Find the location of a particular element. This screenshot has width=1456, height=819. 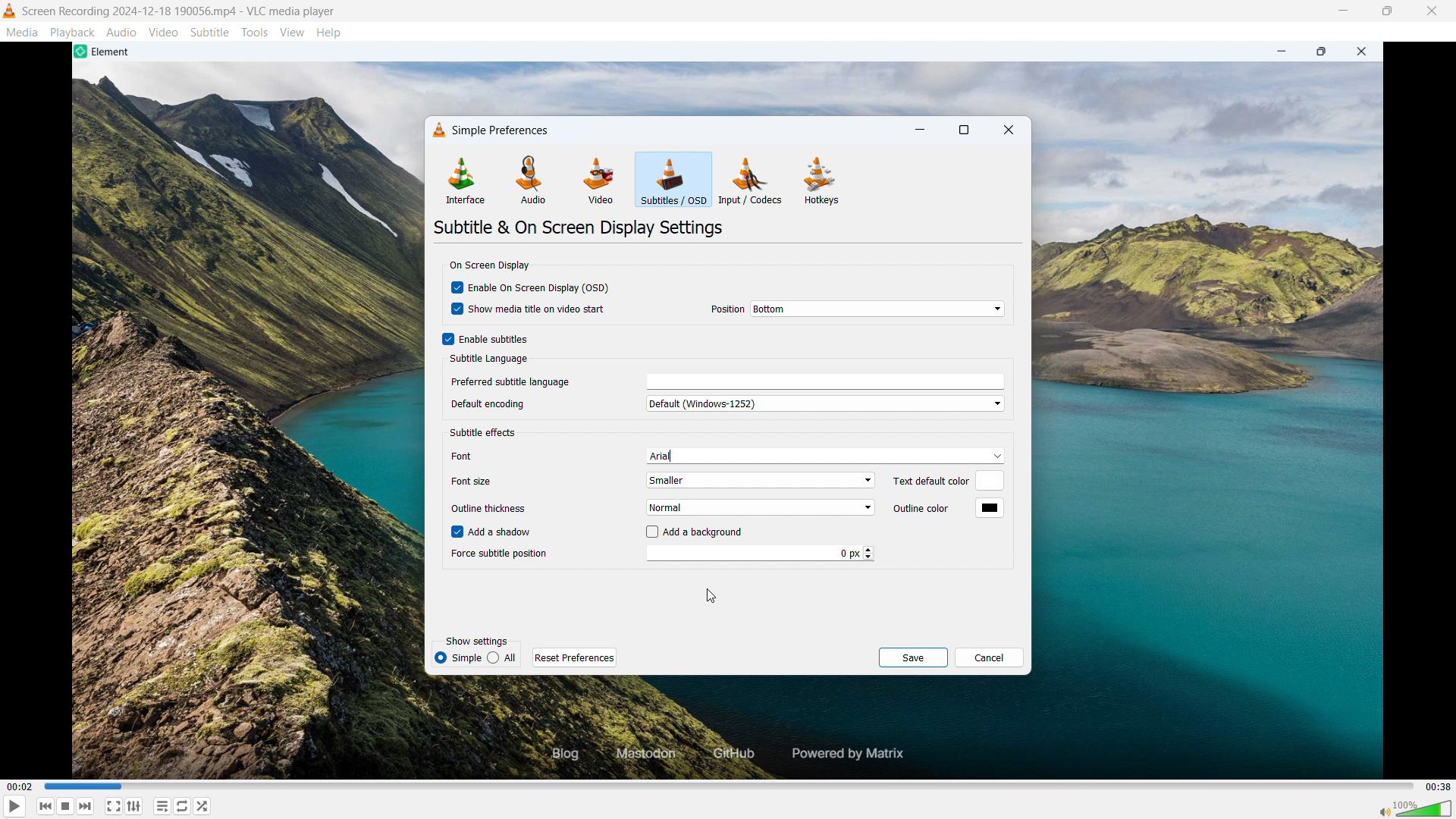

file name is located at coordinates (179, 12).